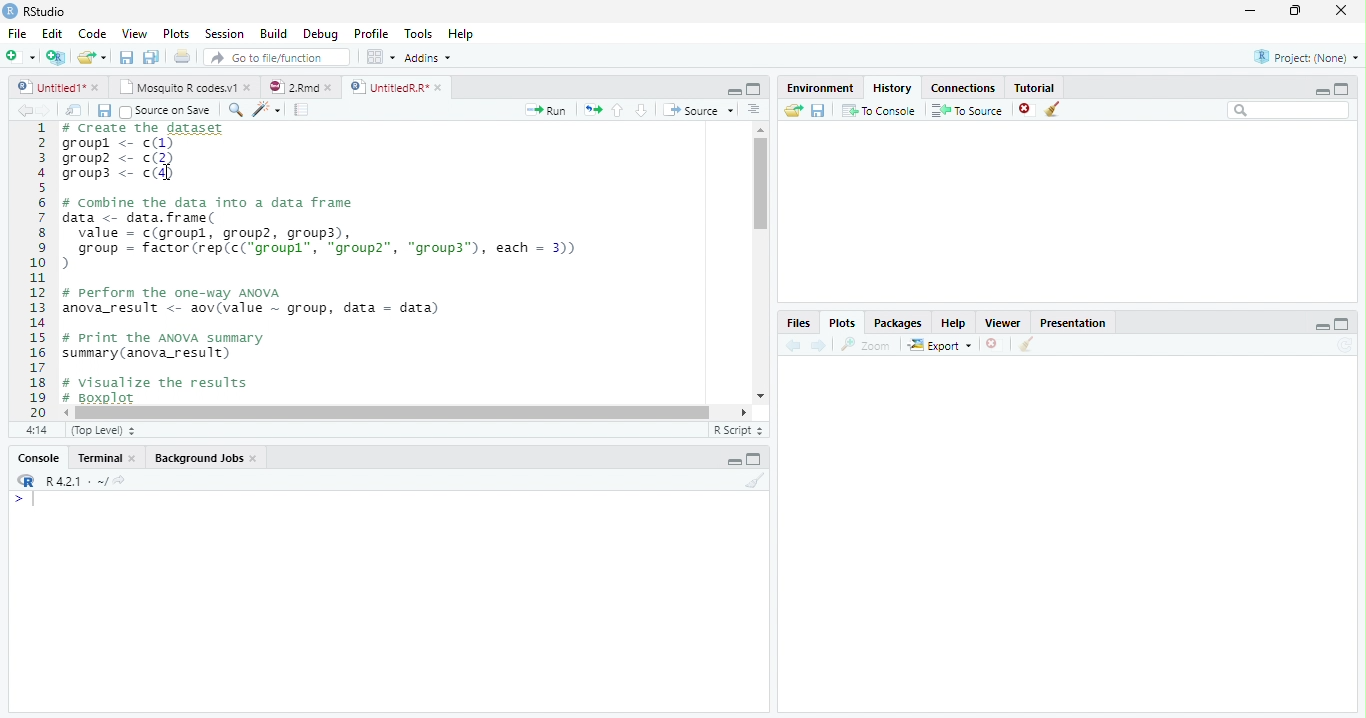  Describe the element at coordinates (1305, 57) in the screenshot. I see `Project (None)` at that location.